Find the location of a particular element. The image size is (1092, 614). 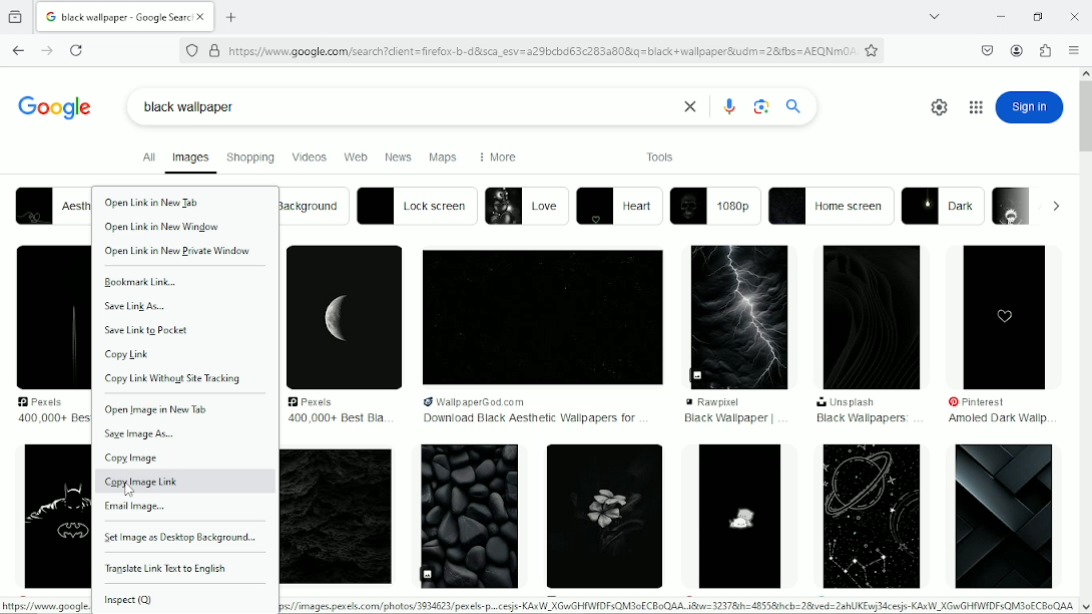

400,000+ best bia is located at coordinates (53, 418).